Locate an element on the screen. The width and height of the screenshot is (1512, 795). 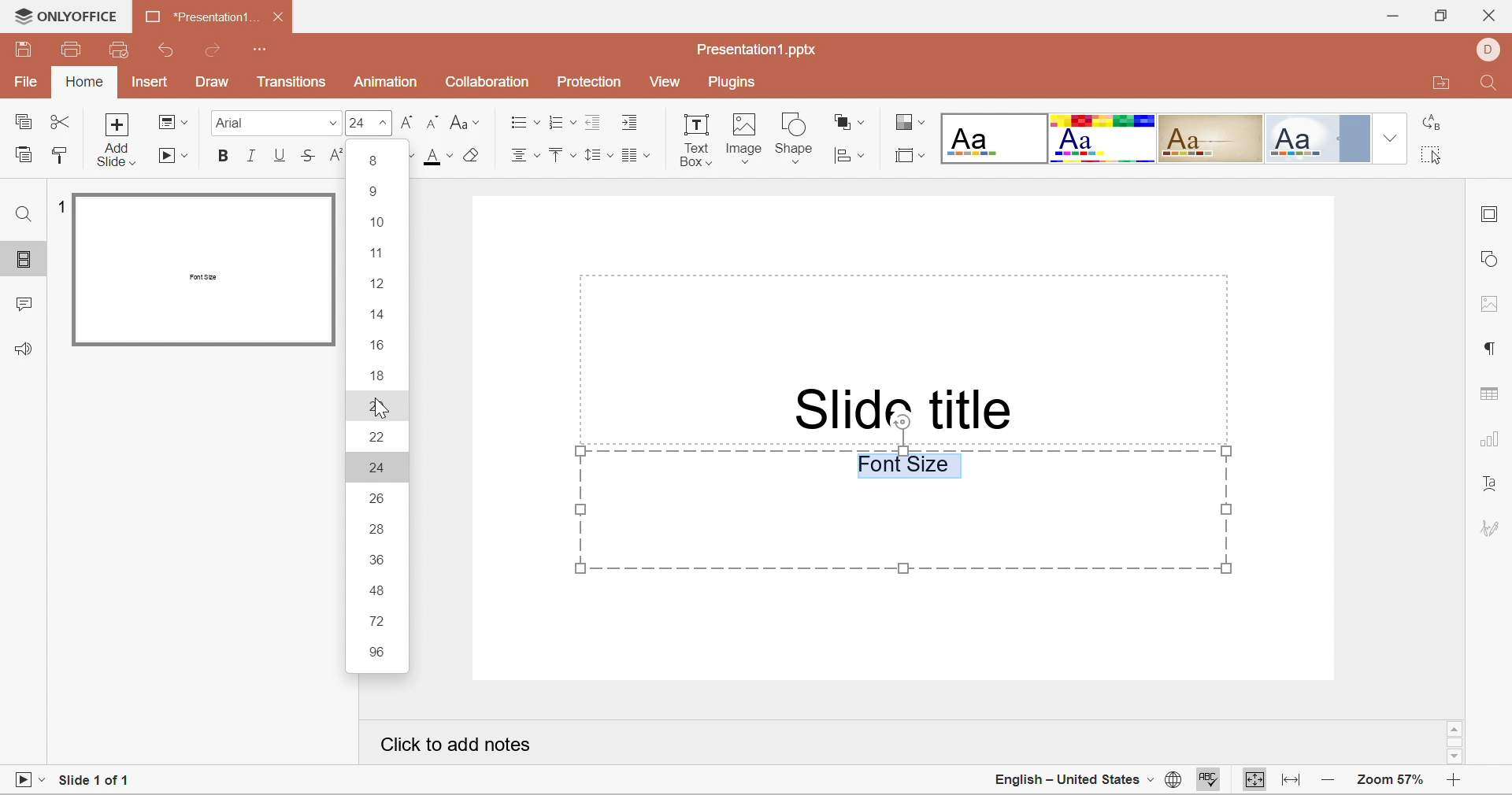
shape settings is located at coordinates (1492, 257).